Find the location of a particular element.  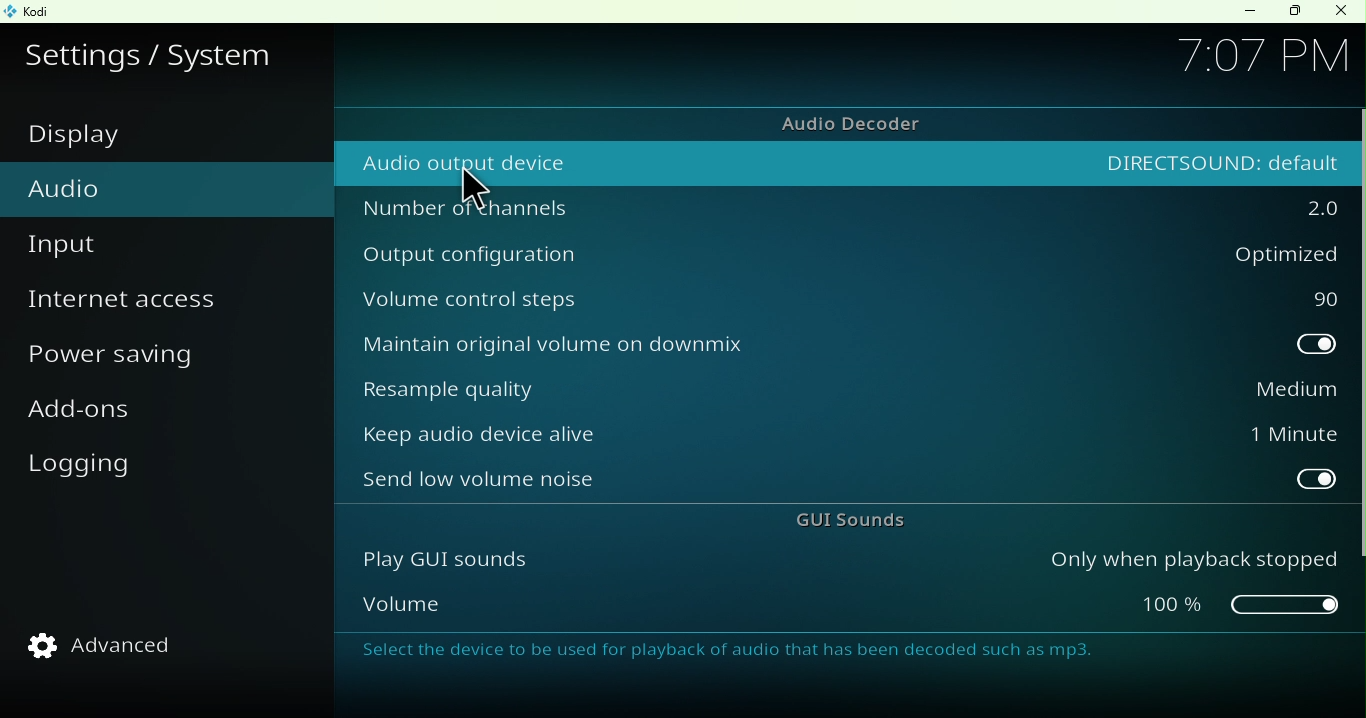

toggle is located at coordinates (1221, 346).